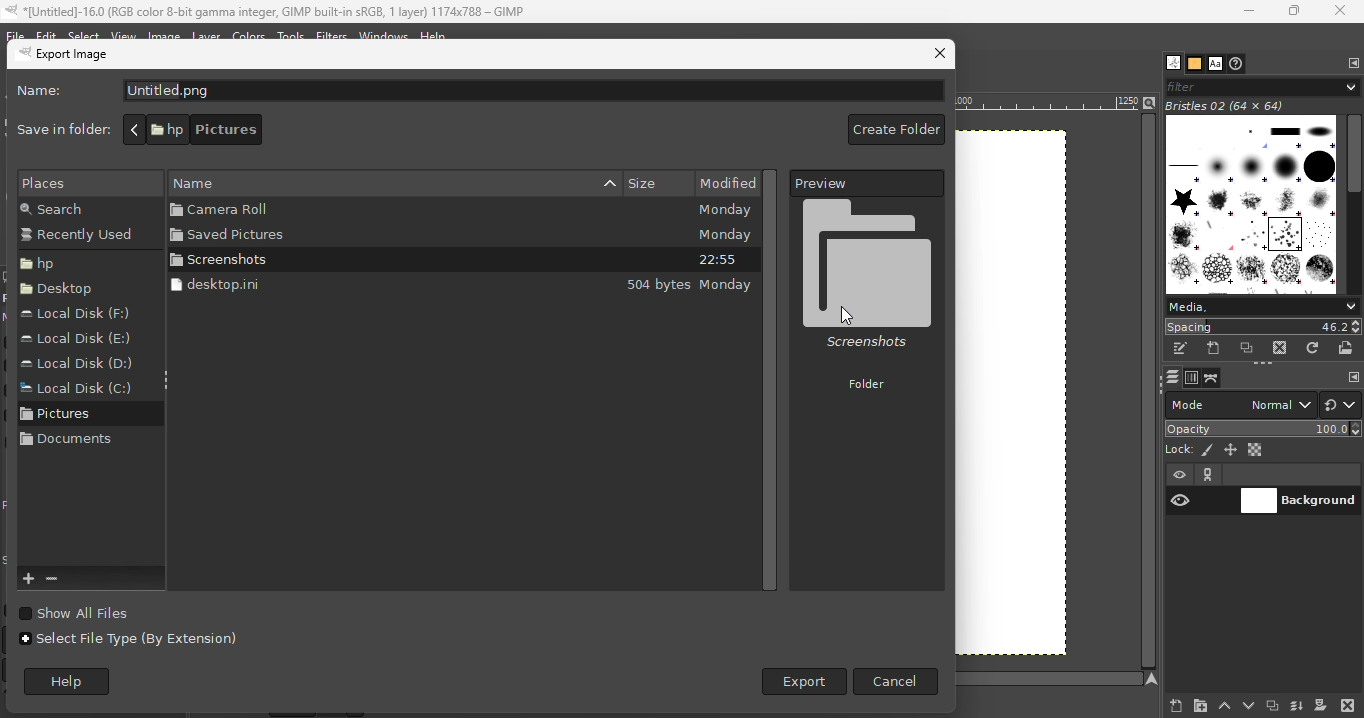 The height and width of the screenshot is (718, 1364). Describe the element at coordinates (801, 682) in the screenshot. I see `Export` at that location.